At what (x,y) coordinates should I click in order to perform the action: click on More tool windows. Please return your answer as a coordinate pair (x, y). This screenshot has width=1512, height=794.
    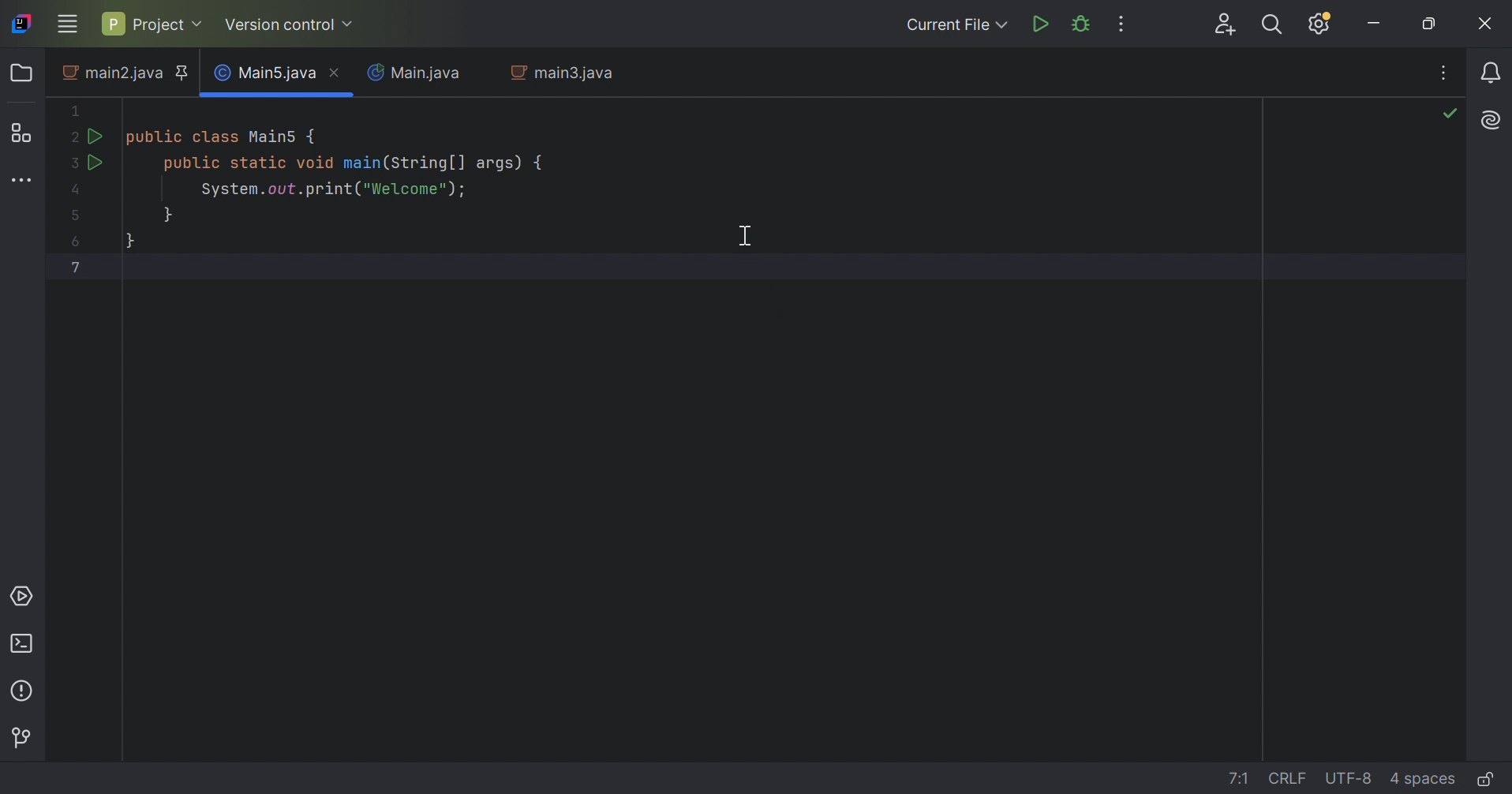
    Looking at the image, I should click on (24, 179).